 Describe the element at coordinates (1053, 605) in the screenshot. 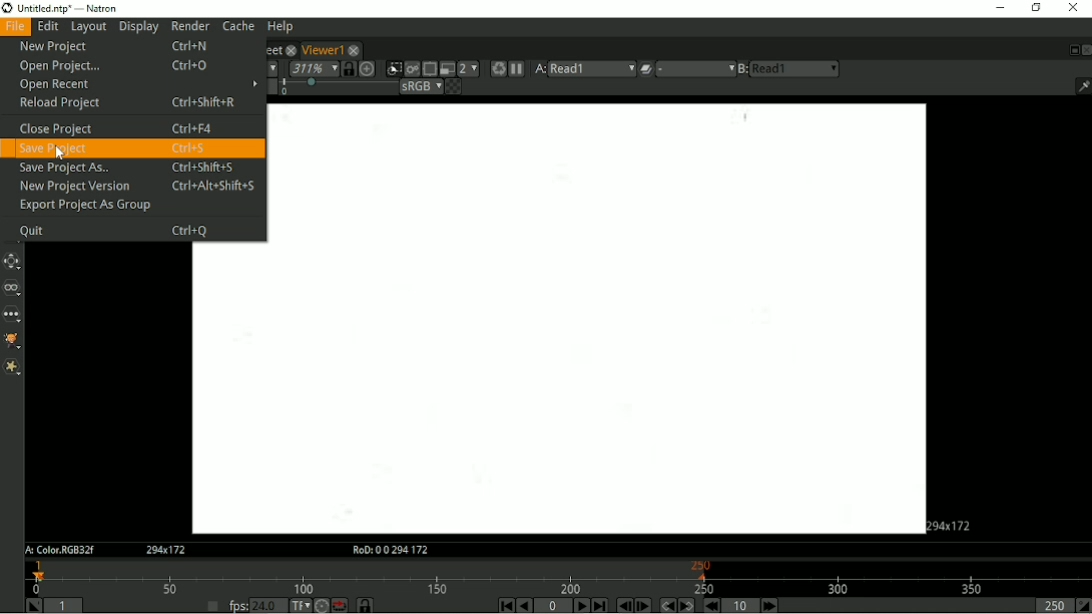

I see `Playback out point` at that location.